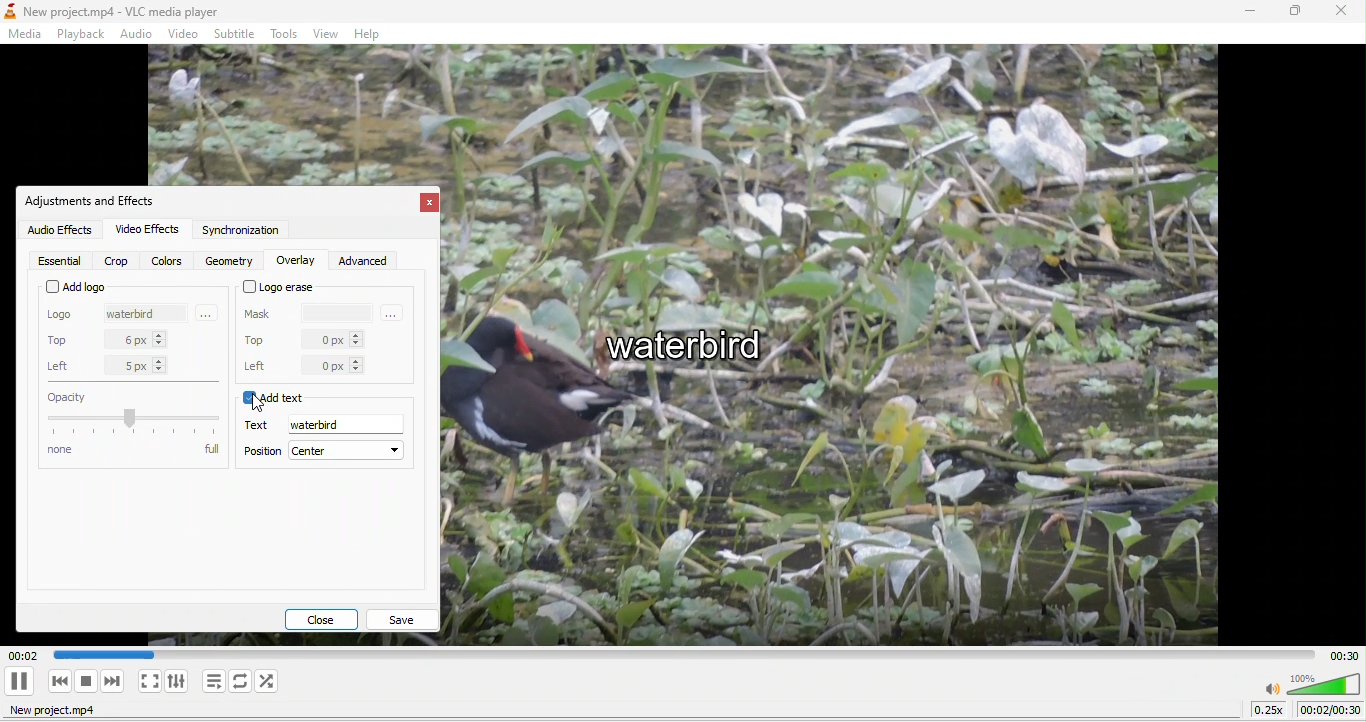 This screenshot has height=722, width=1366. I want to click on playback, so click(82, 32).